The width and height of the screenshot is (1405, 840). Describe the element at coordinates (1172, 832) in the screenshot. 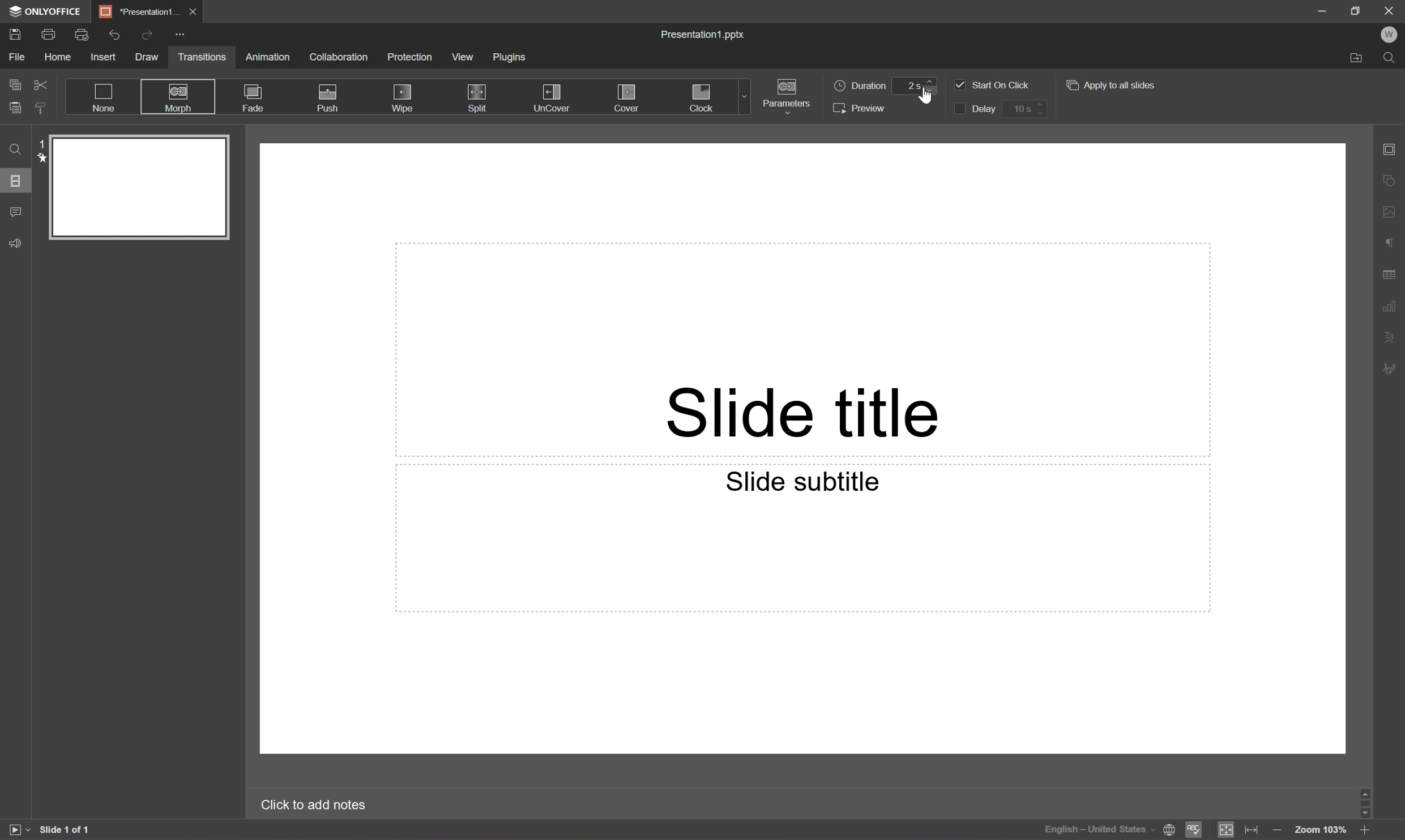

I see `Set document language` at that location.